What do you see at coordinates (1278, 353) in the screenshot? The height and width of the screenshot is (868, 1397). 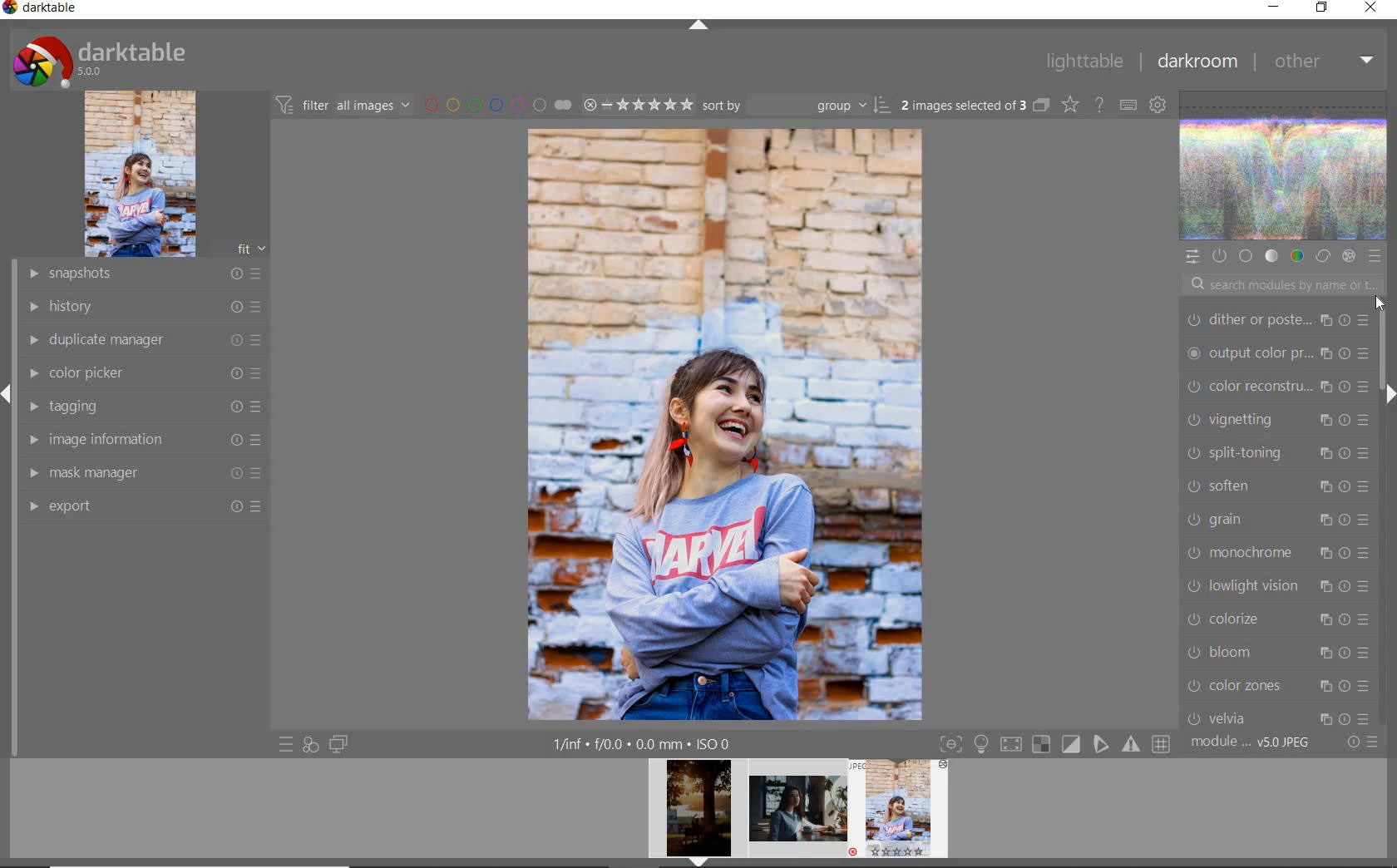 I see `crop` at bounding box center [1278, 353].